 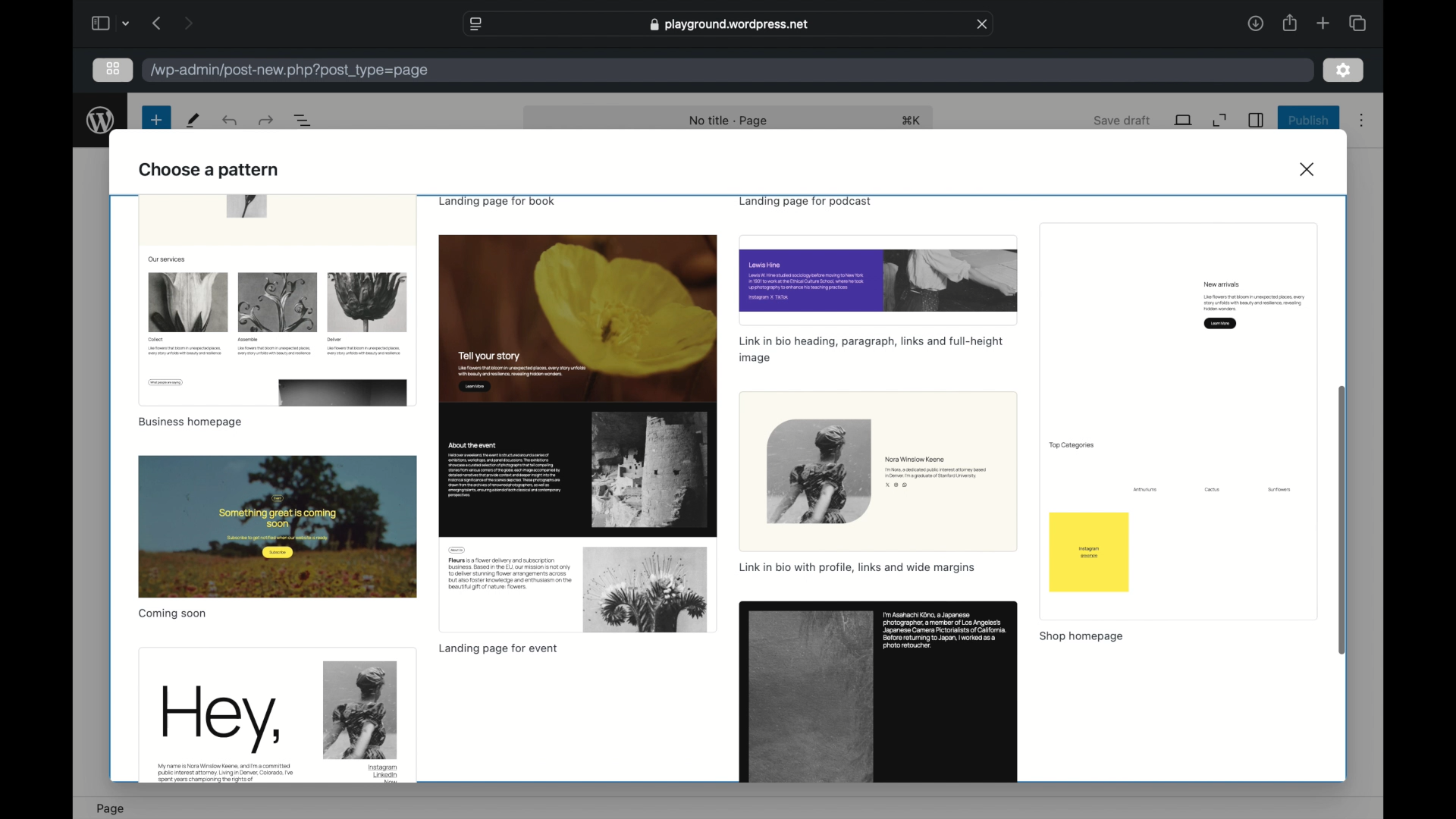 What do you see at coordinates (265, 120) in the screenshot?
I see `undo` at bounding box center [265, 120].